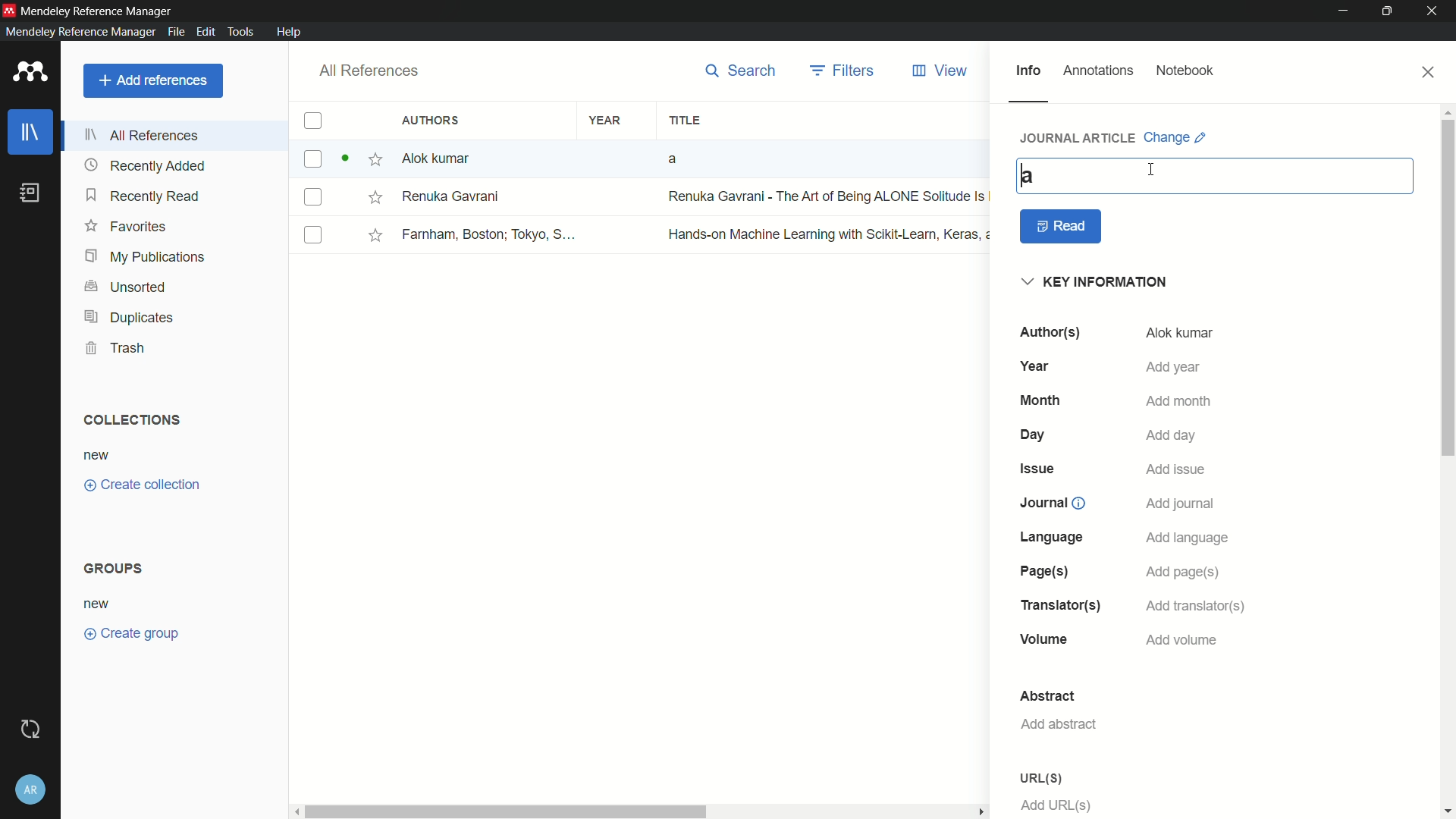 The image size is (1456, 819). I want to click on add day, so click(1172, 435).